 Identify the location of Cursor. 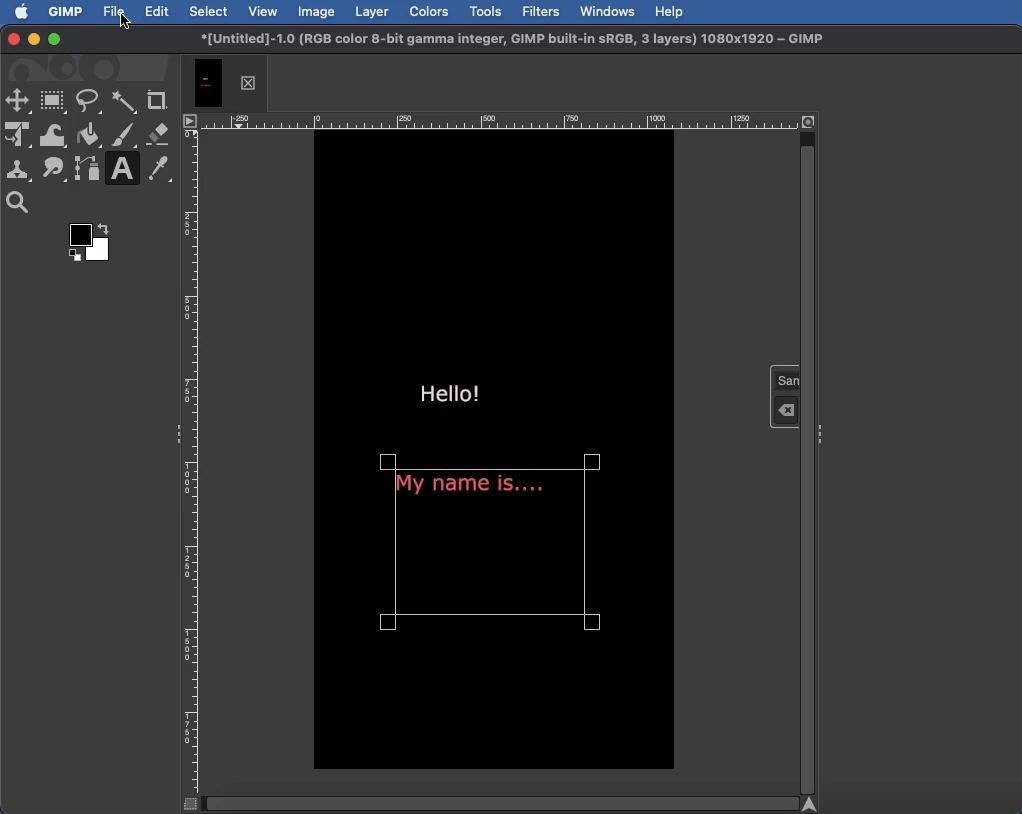
(126, 20).